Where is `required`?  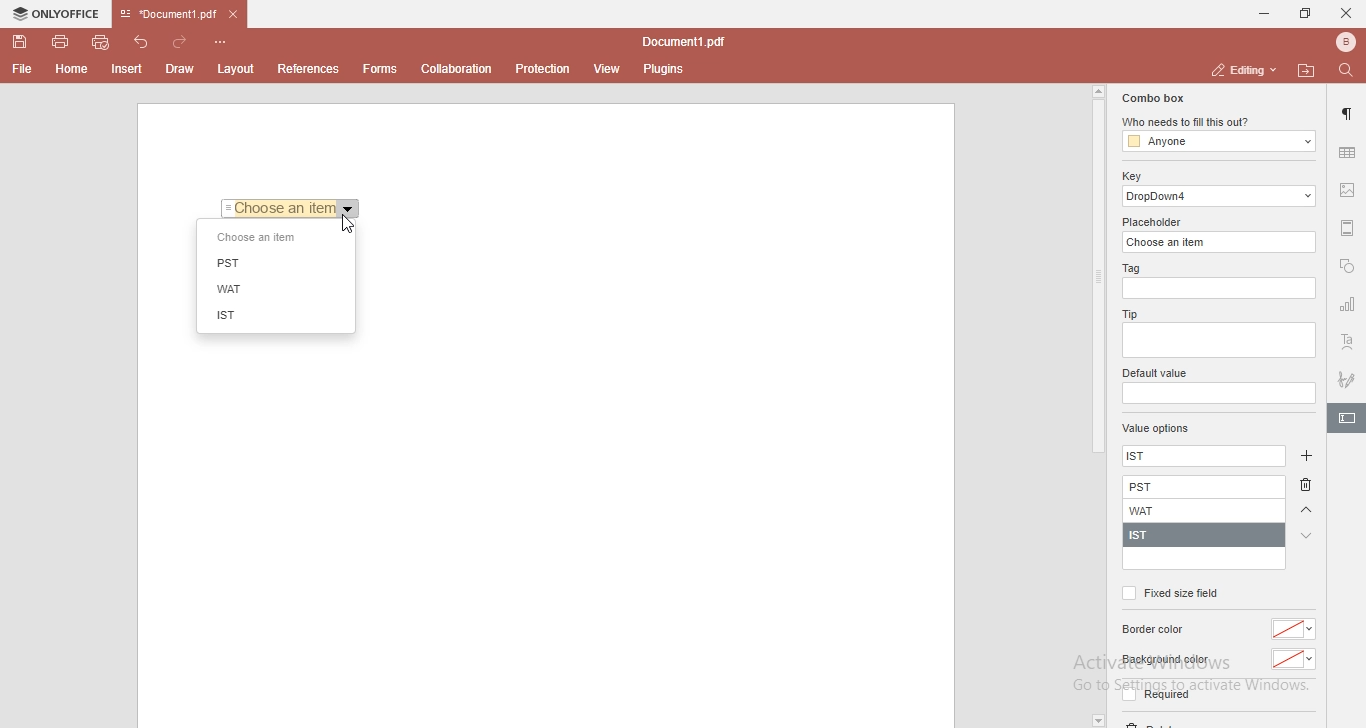 required is located at coordinates (1154, 698).